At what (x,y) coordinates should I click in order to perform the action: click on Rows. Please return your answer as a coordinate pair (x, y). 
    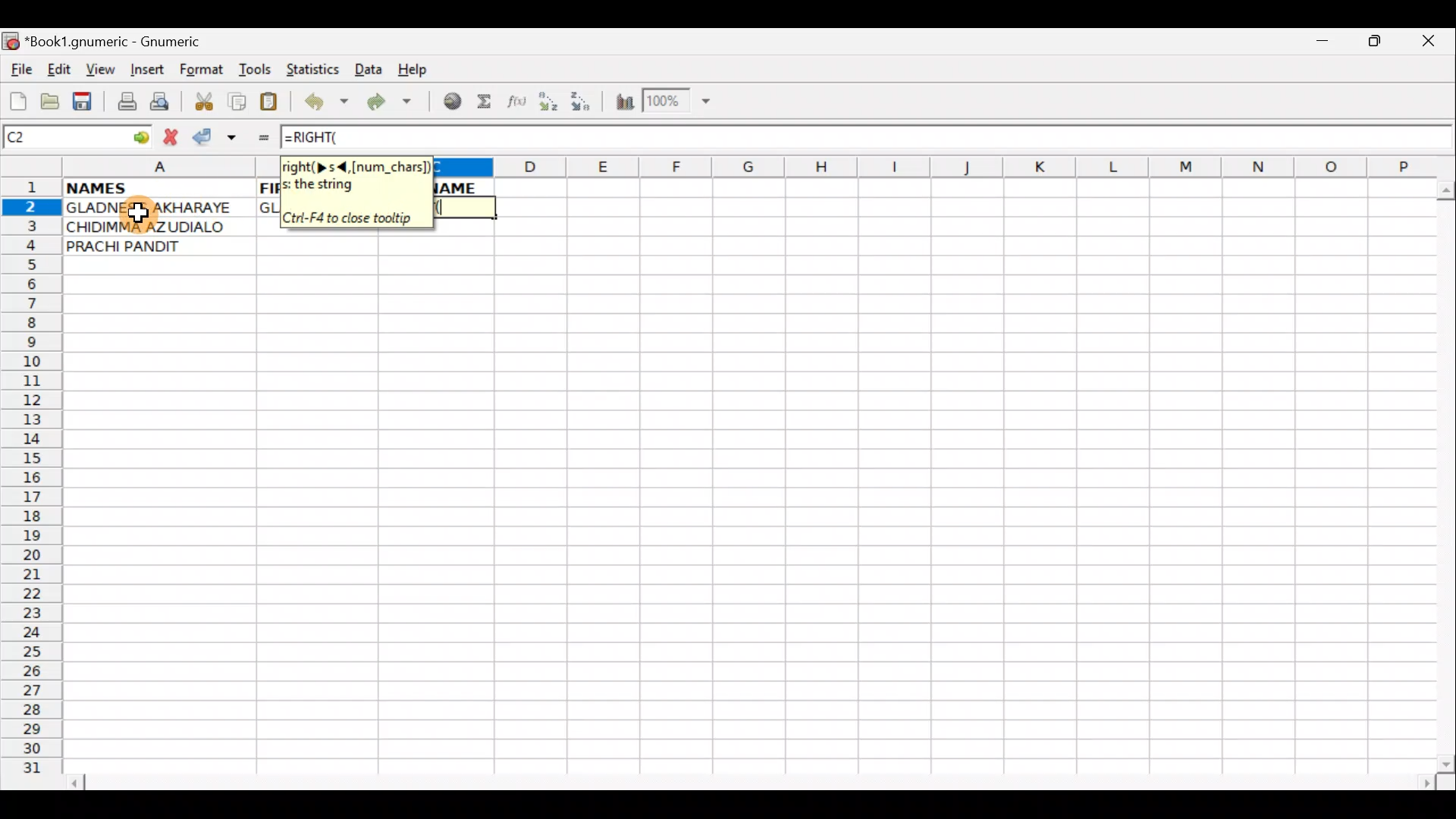
    Looking at the image, I should click on (32, 482).